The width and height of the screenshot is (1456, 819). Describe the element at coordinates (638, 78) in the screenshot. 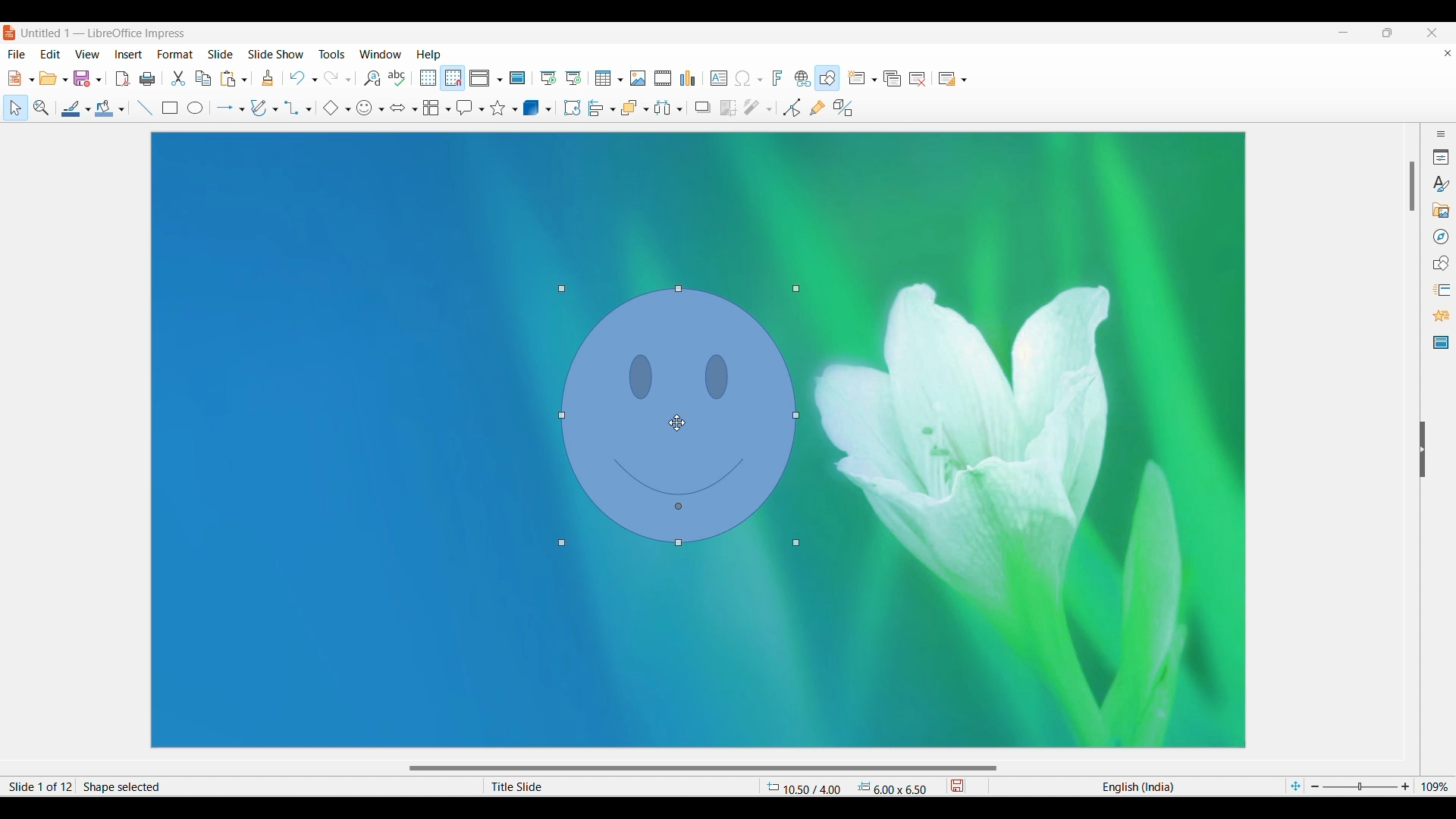

I see `Insert image` at that location.